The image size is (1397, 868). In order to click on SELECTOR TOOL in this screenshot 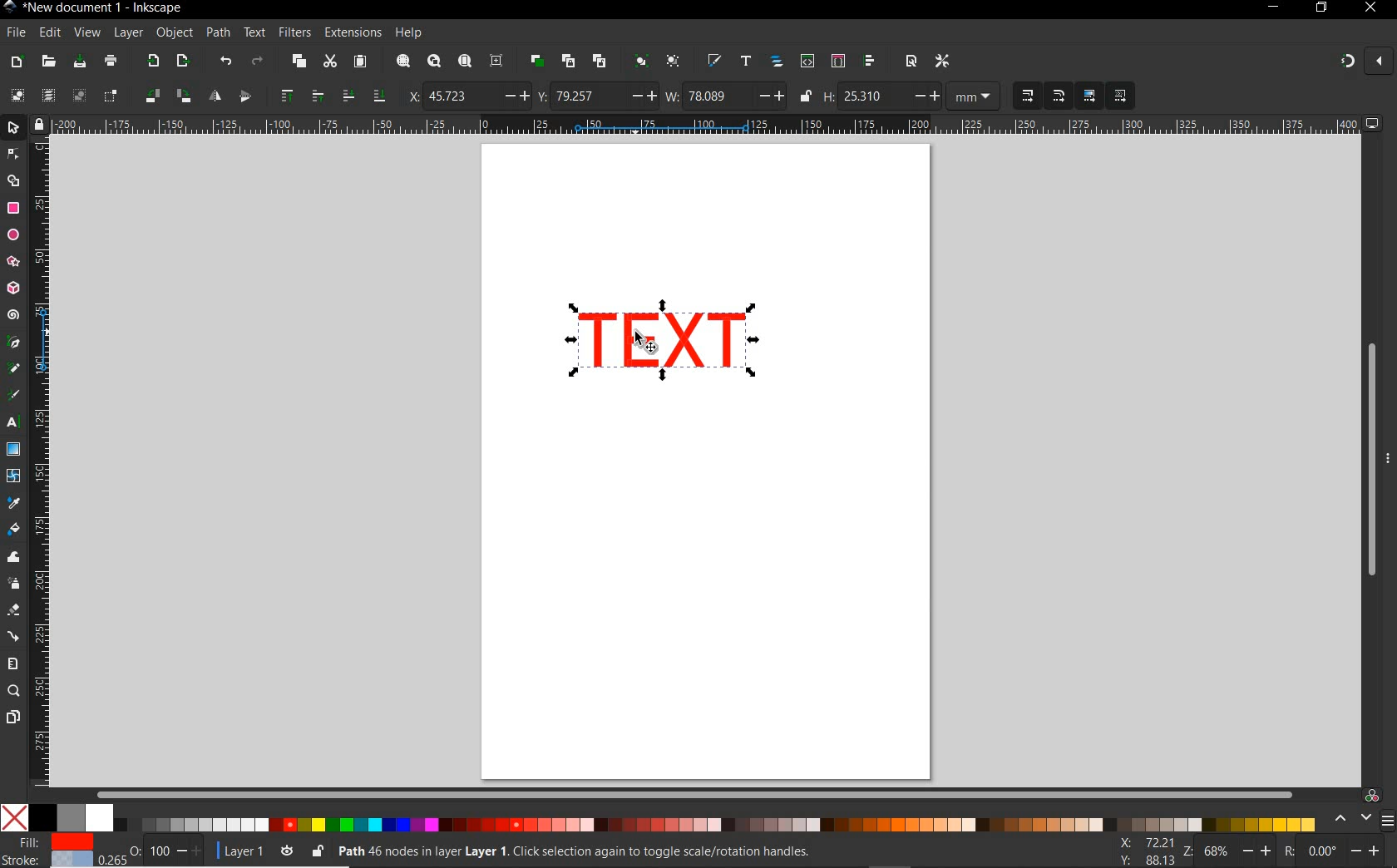, I will do `click(15, 131)`.